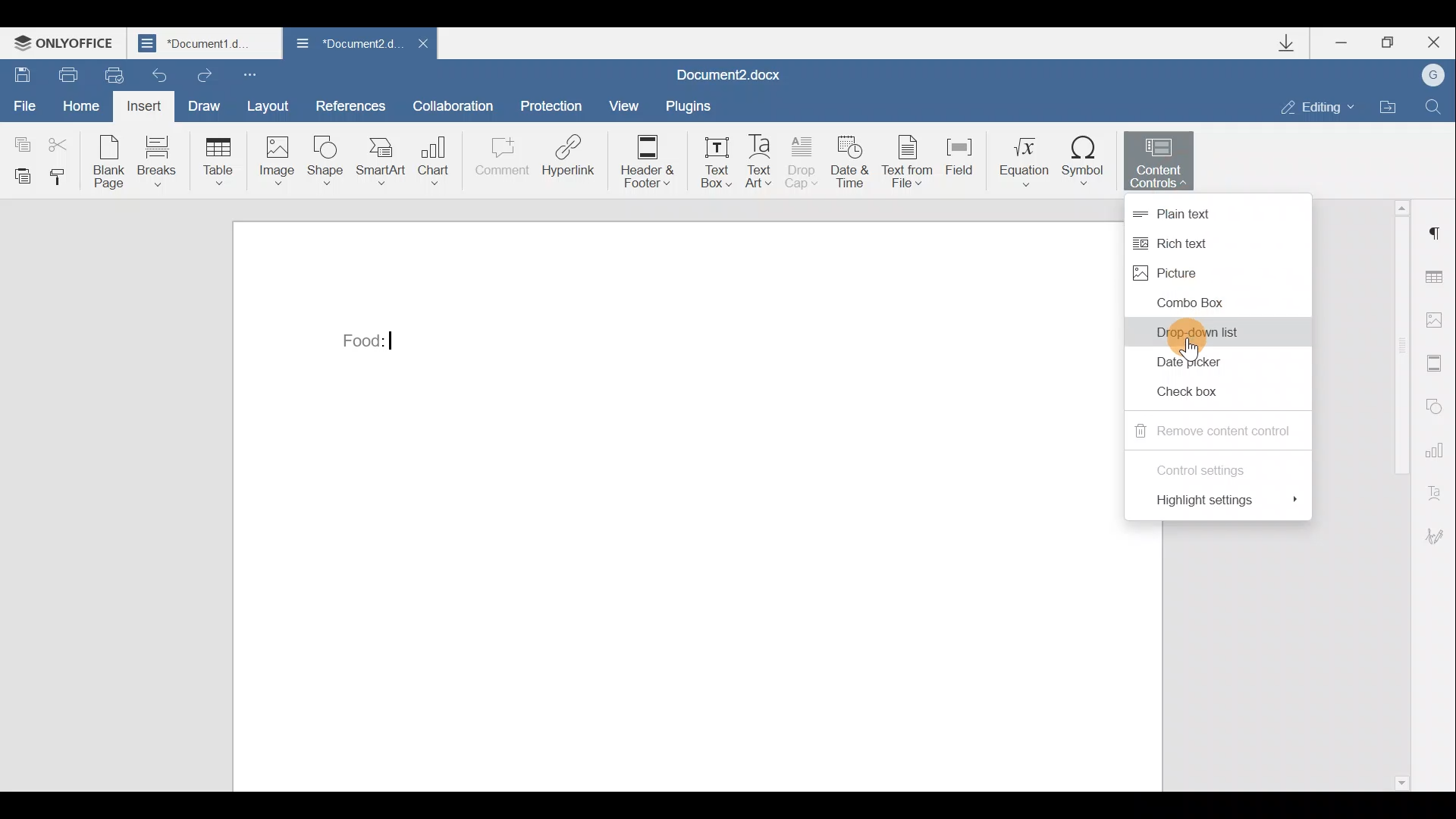 The width and height of the screenshot is (1456, 819). I want to click on File, so click(26, 104).